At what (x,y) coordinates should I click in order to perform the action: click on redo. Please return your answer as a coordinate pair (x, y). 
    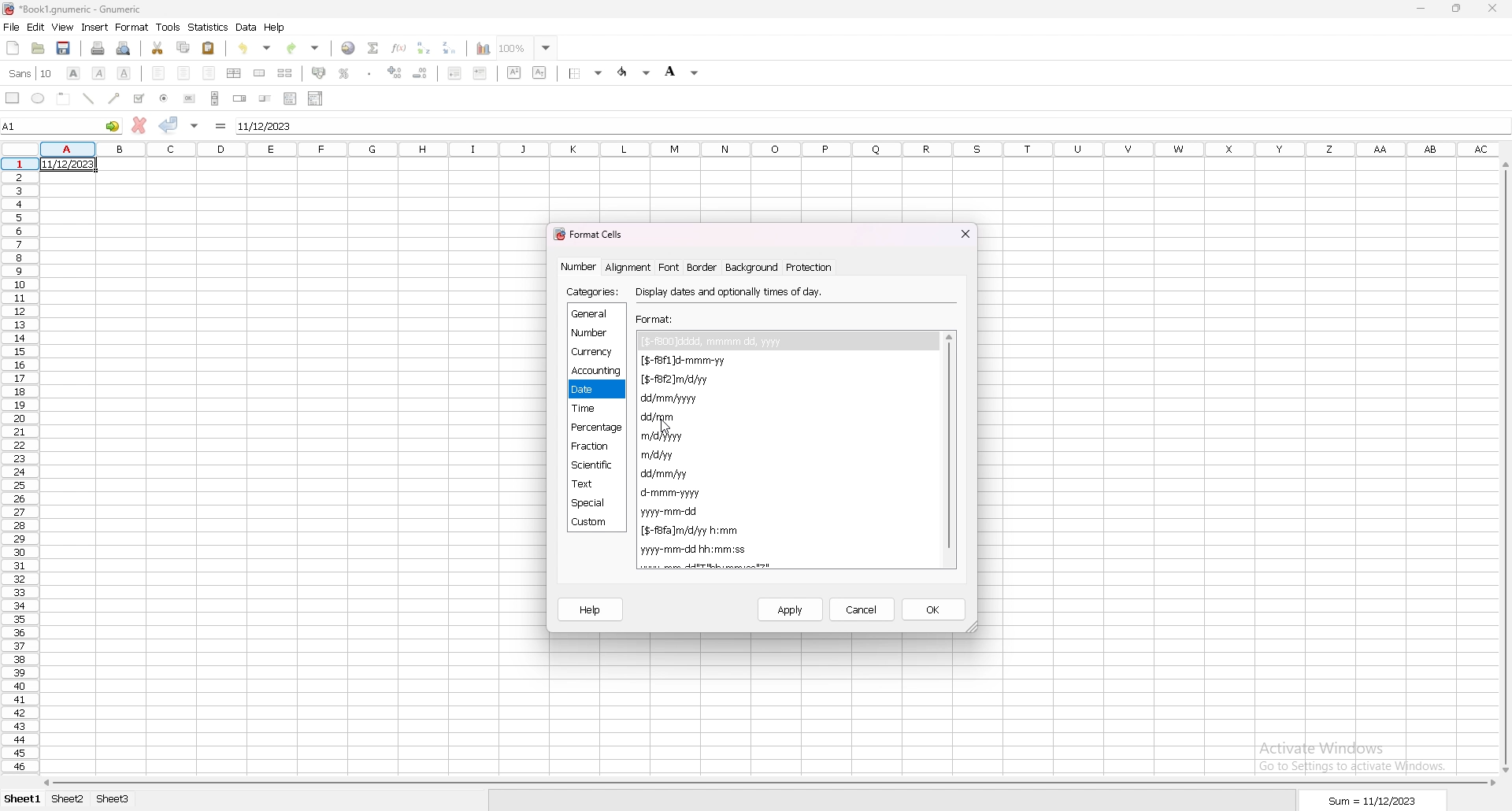
    Looking at the image, I should click on (303, 48).